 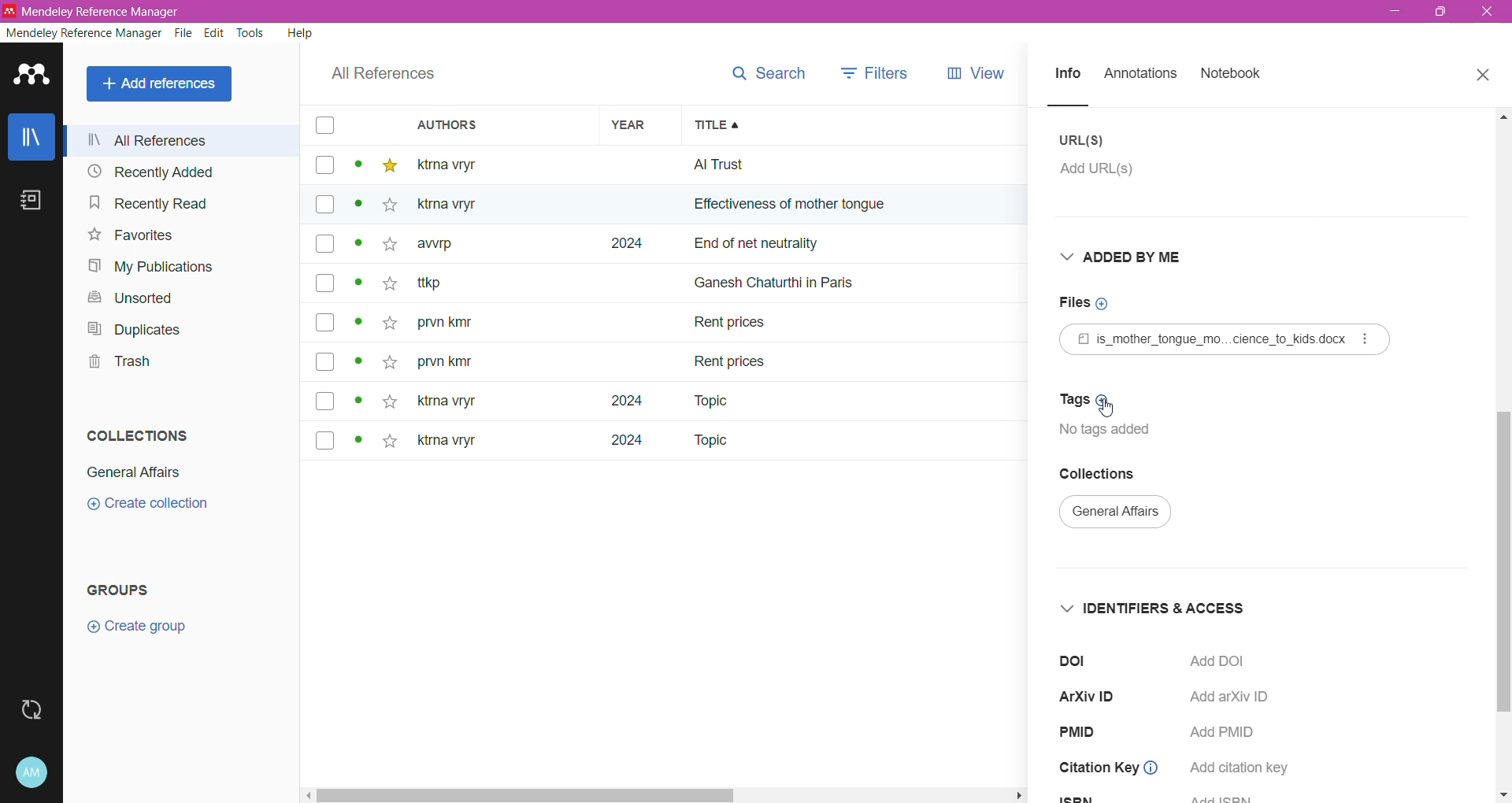 What do you see at coordinates (176, 171) in the screenshot?
I see `Recently Added` at bounding box center [176, 171].